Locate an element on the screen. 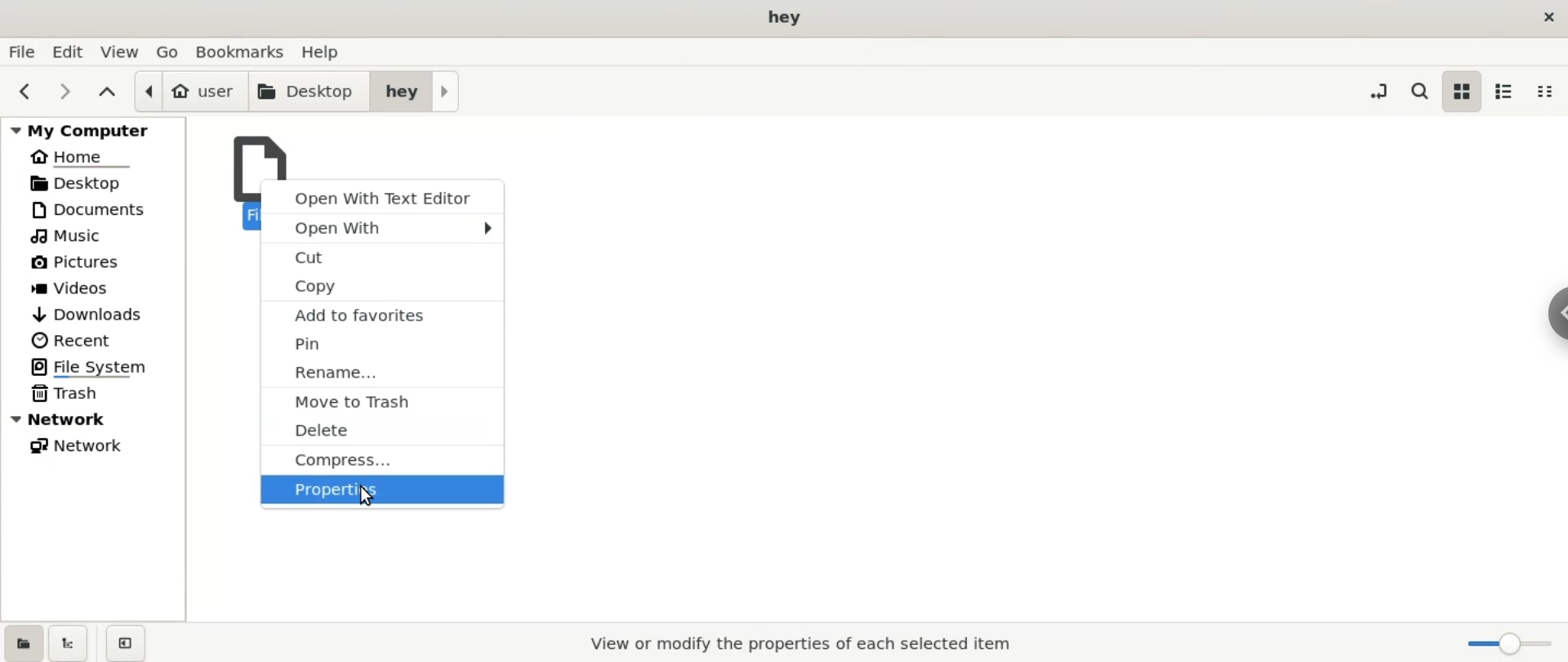  cut is located at coordinates (384, 254).